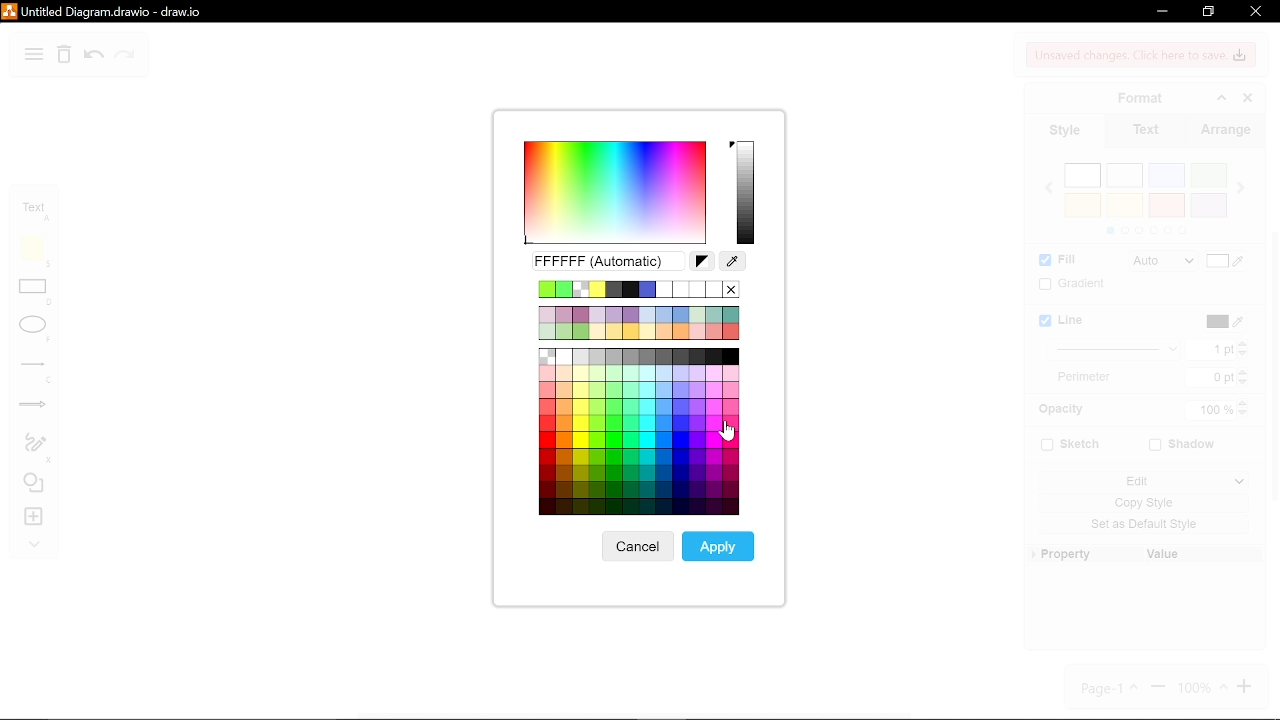 The height and width of the screenshot is (720, 1280). What do you see at coordinates (635, 547) in the screenshot?
I see `cancel` at bounding box center [635, 547].